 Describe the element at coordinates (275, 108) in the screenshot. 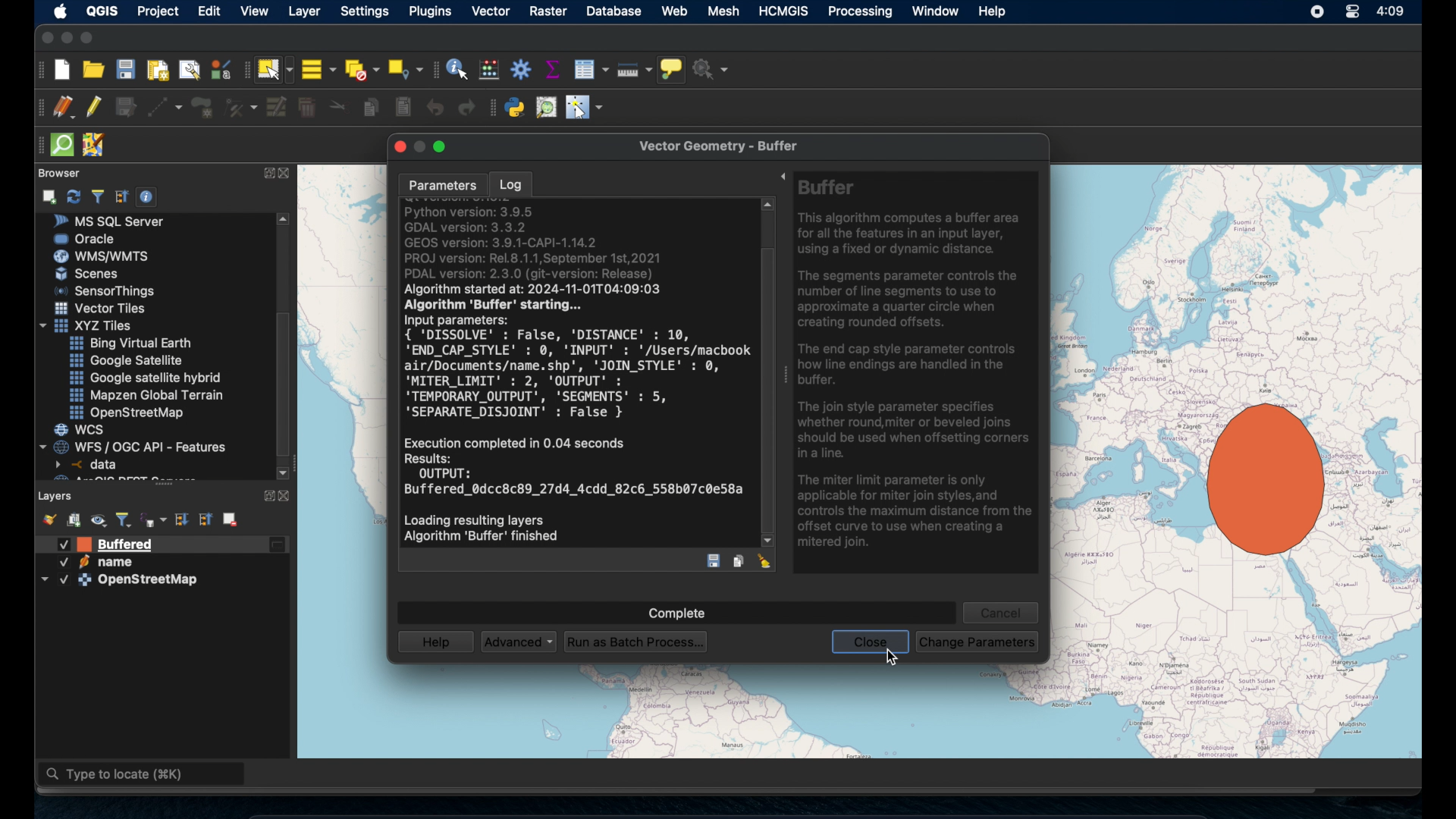

I see `modify attributes` at that location.